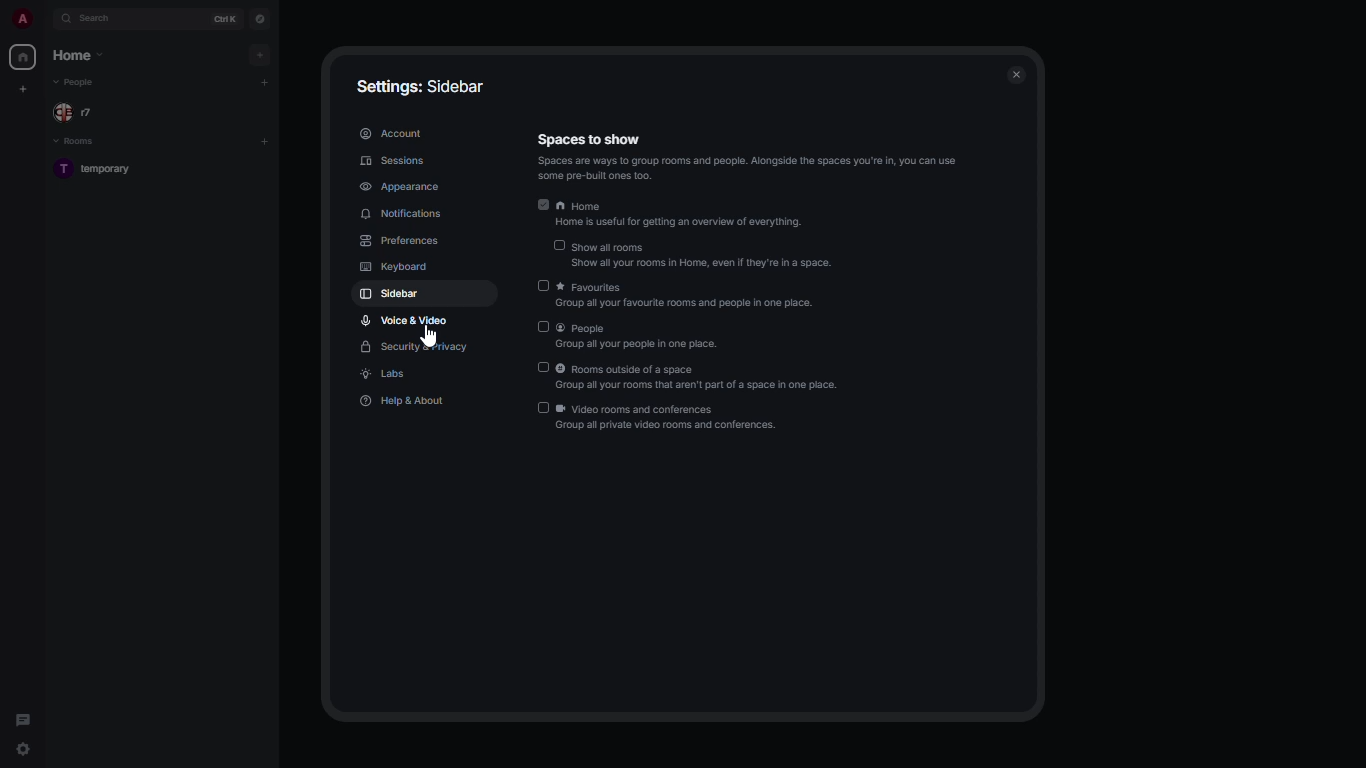 This screenshot has width=1366, height=768. Describe the element at coordinates (638, 336) in the screenshot. I see `people` at that location.